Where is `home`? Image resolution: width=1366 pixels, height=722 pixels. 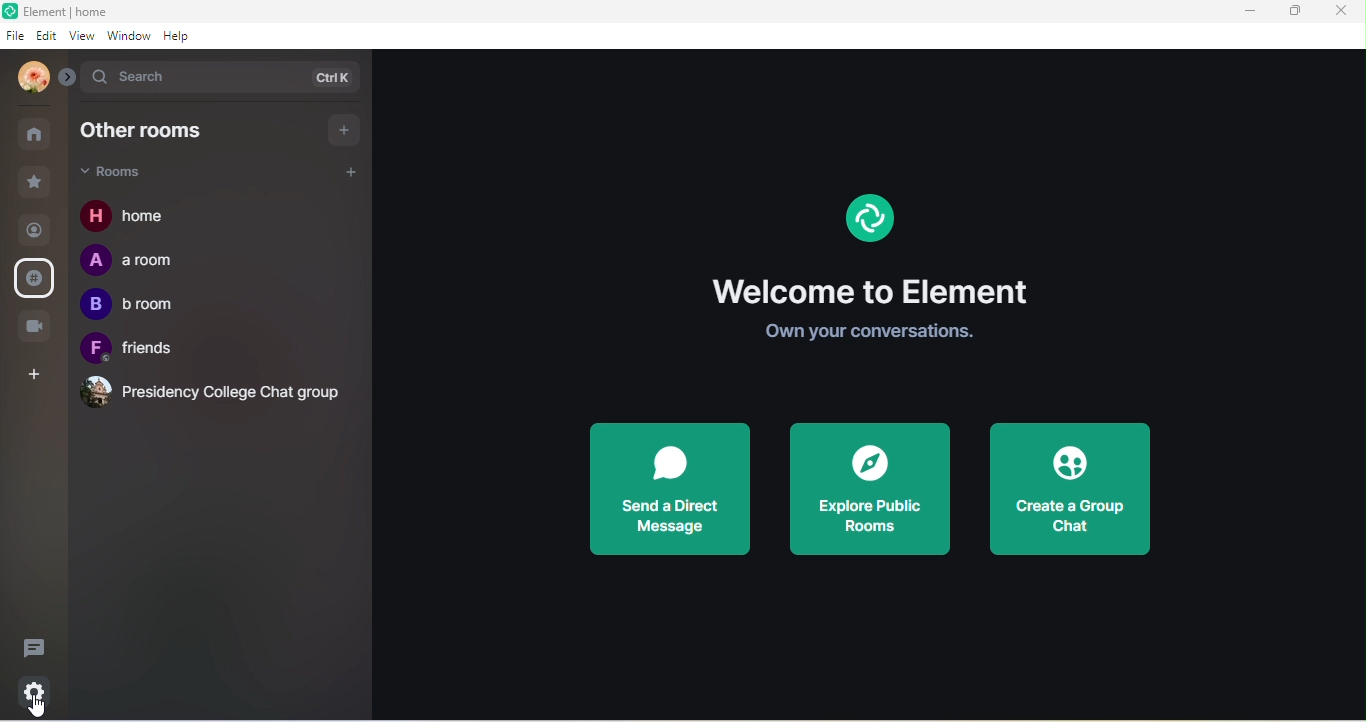 home is located at coordinates (132, 218).